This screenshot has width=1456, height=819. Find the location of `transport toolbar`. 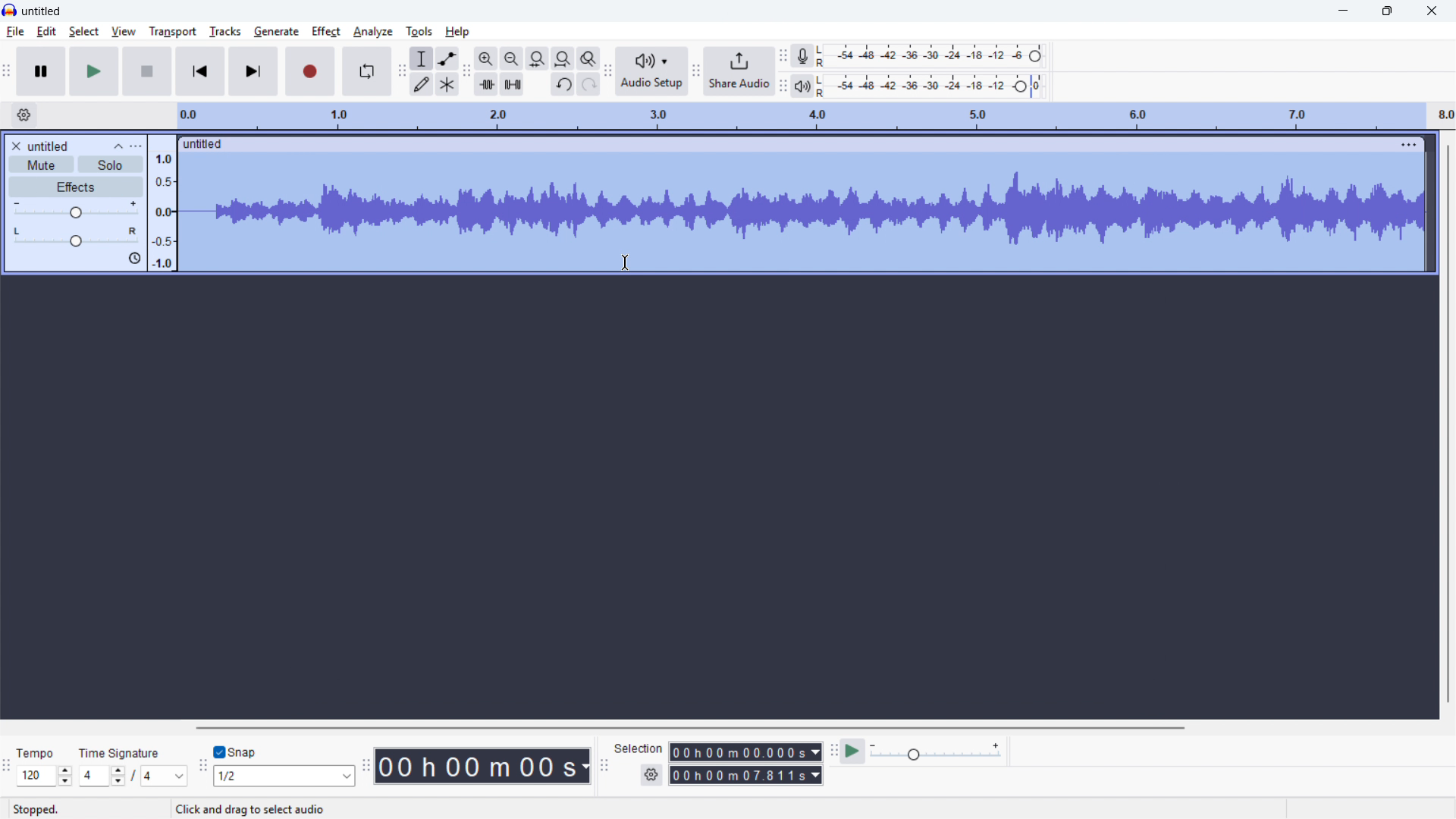

transport toolbar is located at coordinates (7, 74).